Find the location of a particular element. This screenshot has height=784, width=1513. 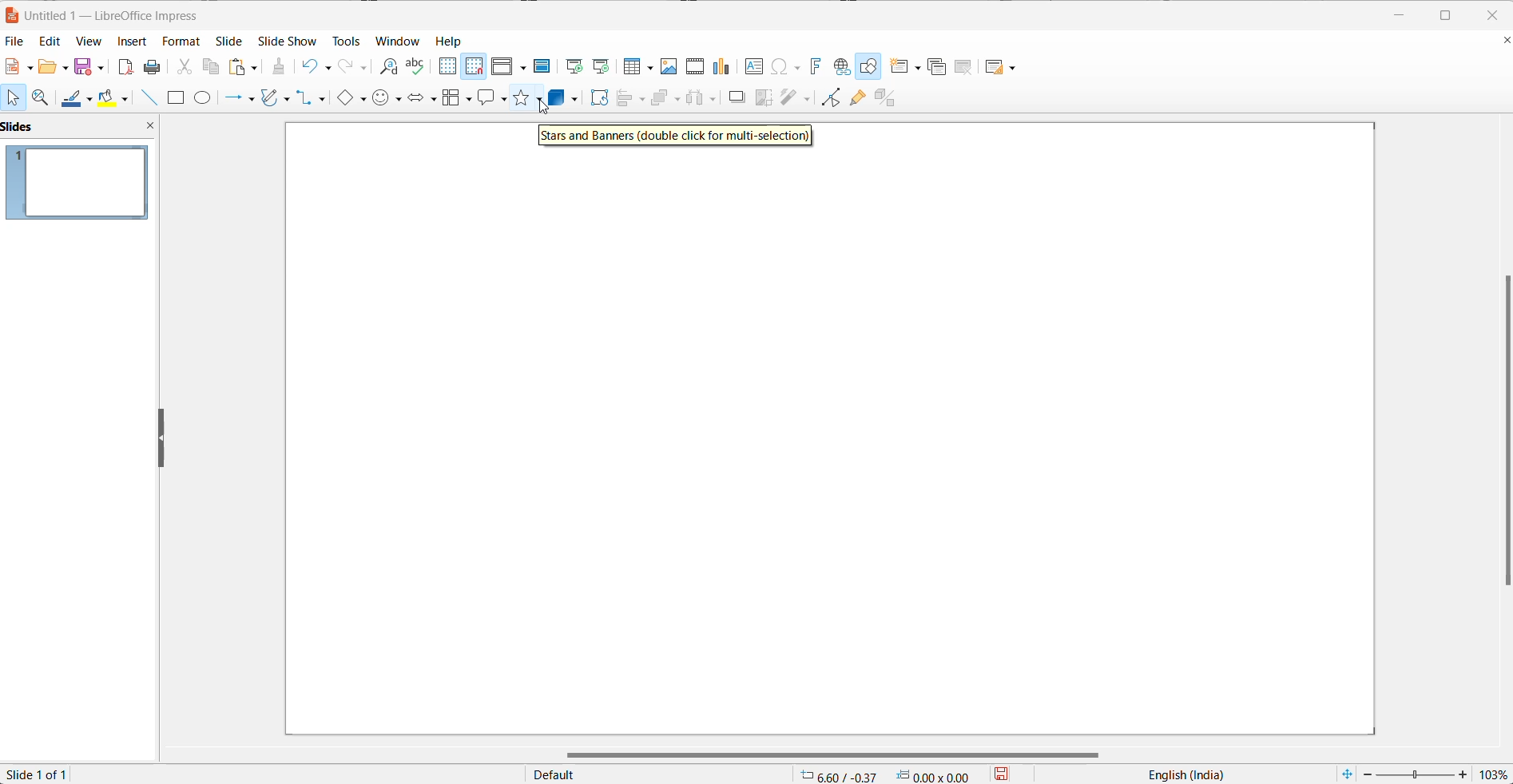

filters is located at coordinates (794, 97).